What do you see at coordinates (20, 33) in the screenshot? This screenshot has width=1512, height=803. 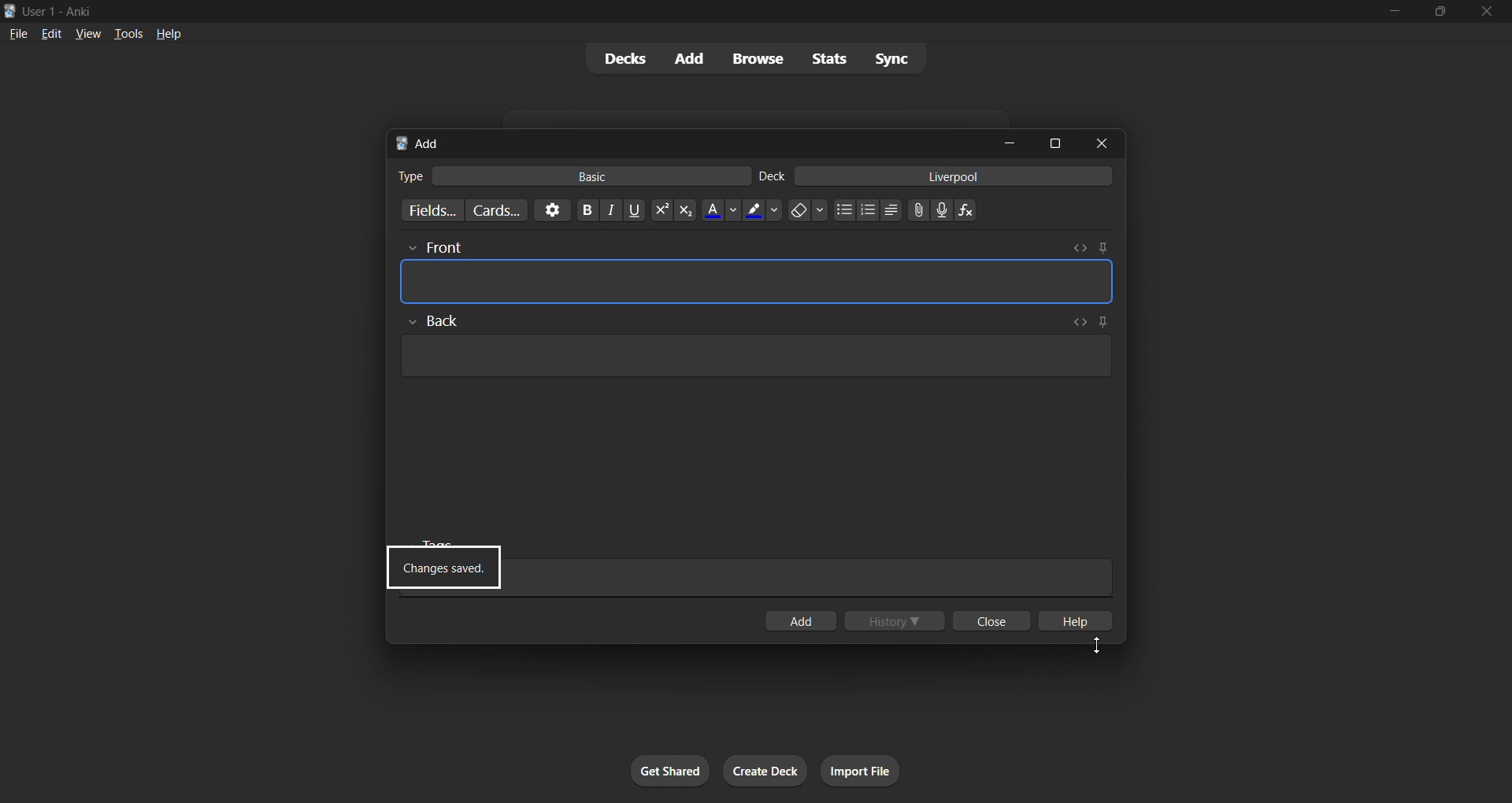 I see `file` at bounding box center [20, 33].